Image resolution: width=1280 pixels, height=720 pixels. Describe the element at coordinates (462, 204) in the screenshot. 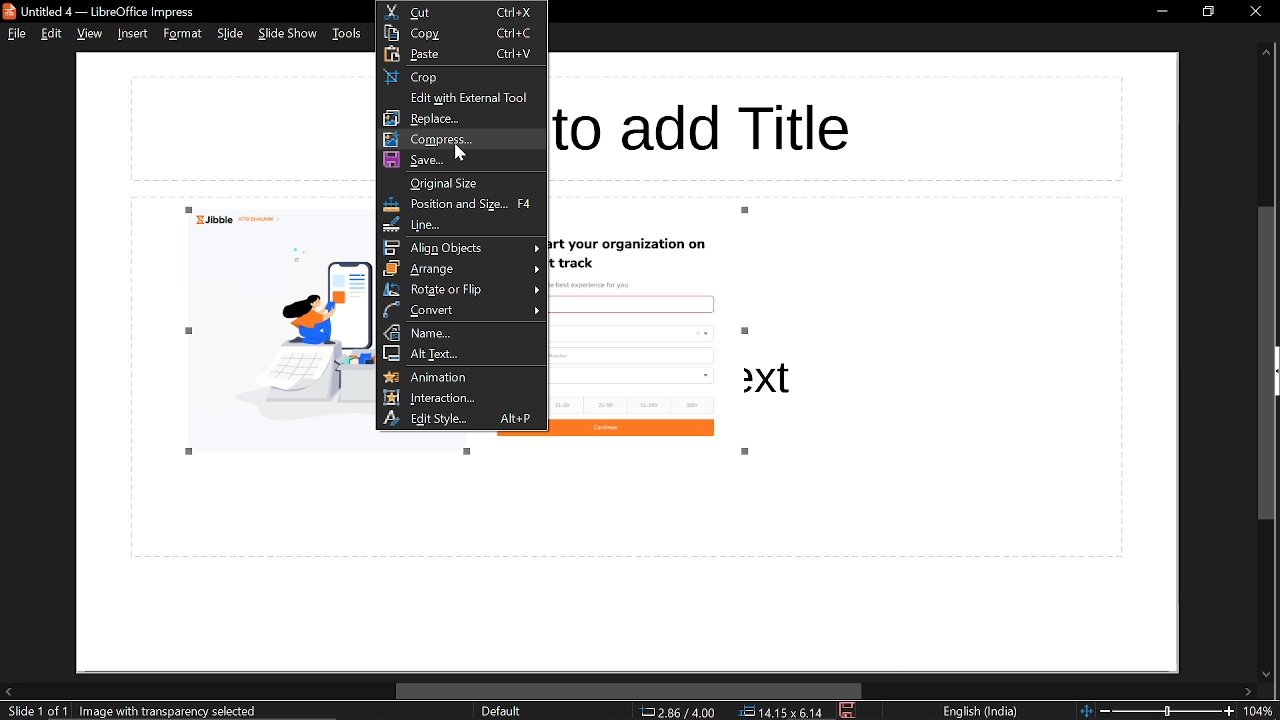

I see `position and size` at that location.